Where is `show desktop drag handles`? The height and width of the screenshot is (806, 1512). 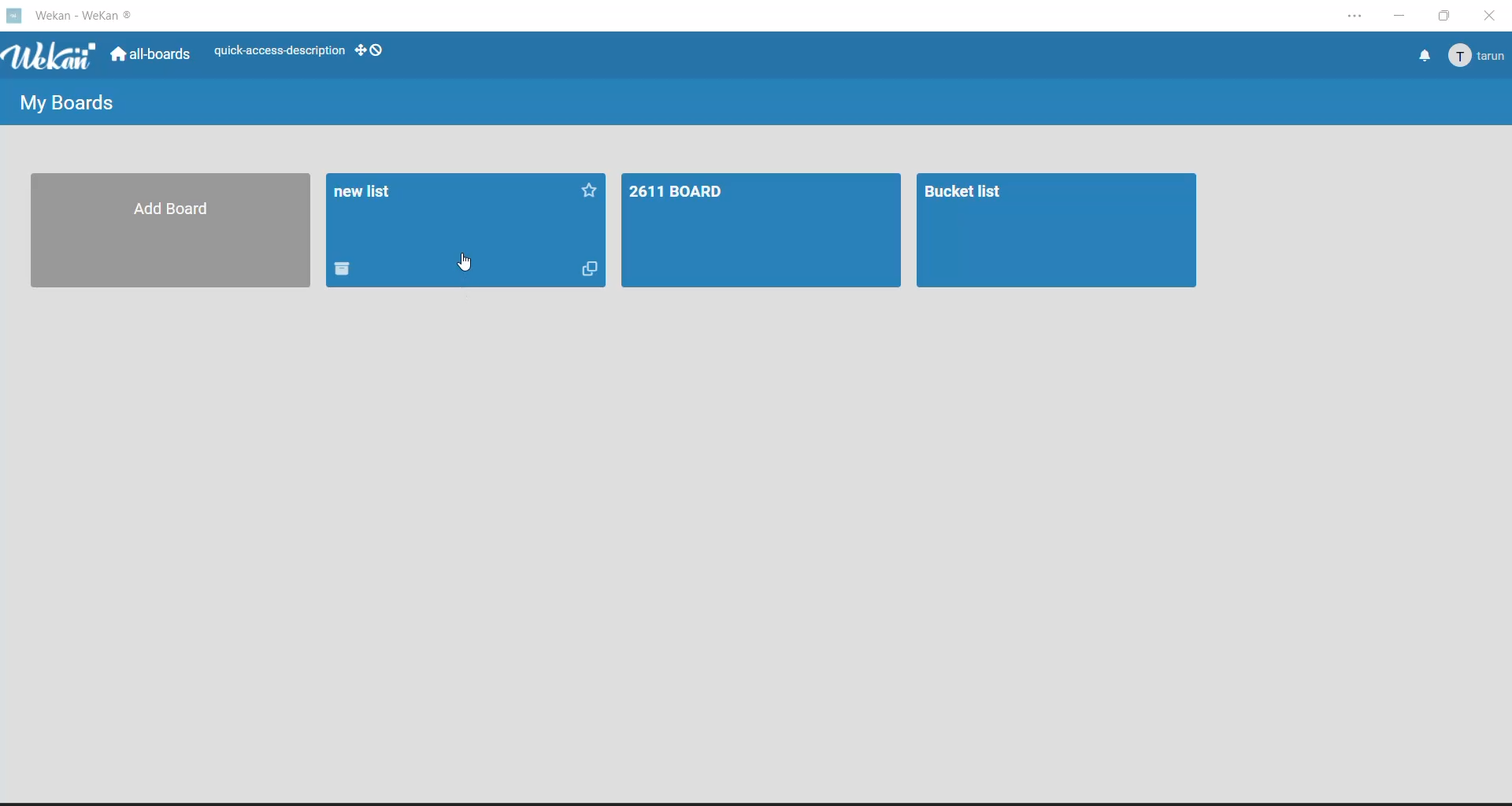
show desktop drag handles is located at coordinates (371, 50).